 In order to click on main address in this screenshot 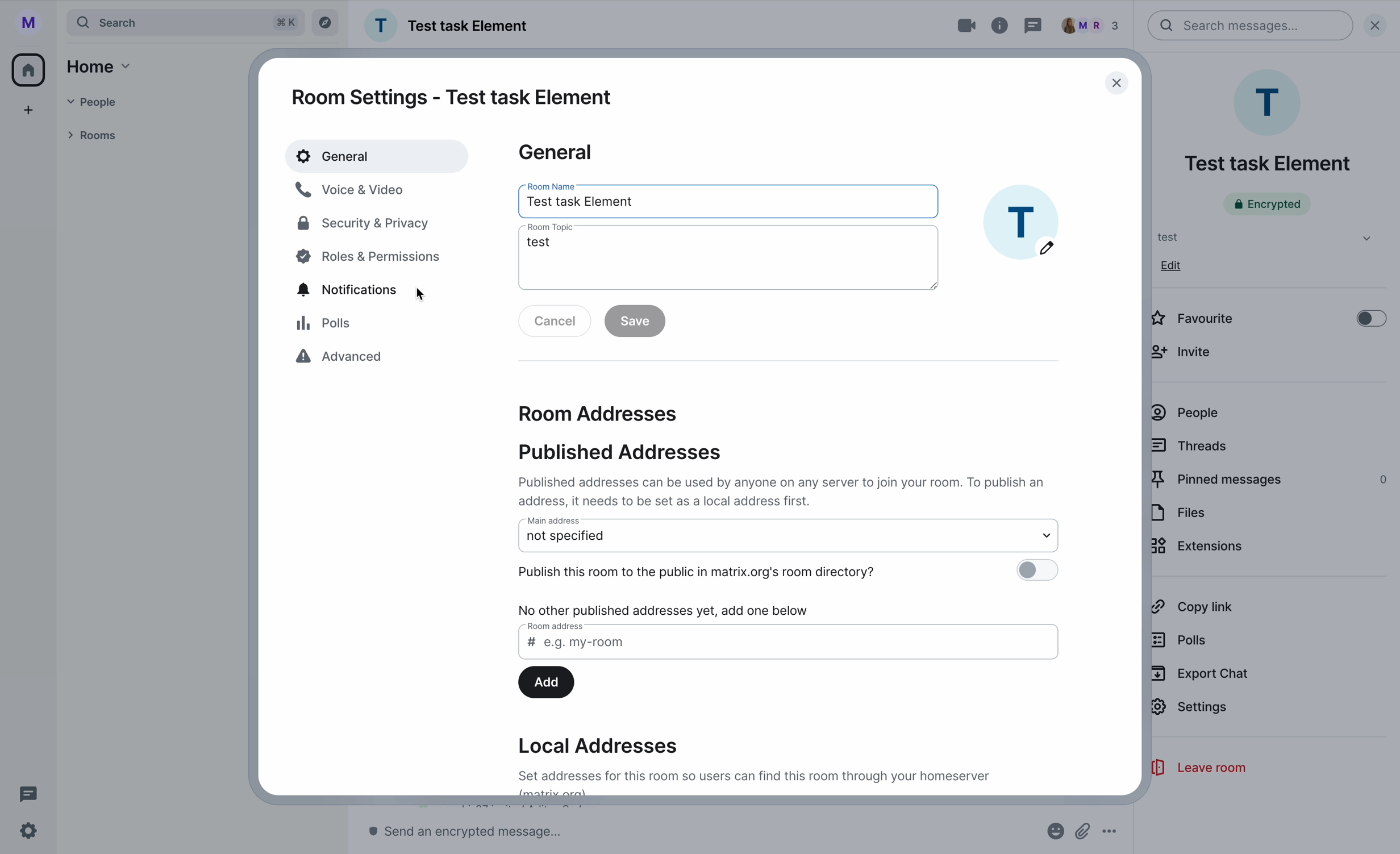, I will do `click(791, 534)`.